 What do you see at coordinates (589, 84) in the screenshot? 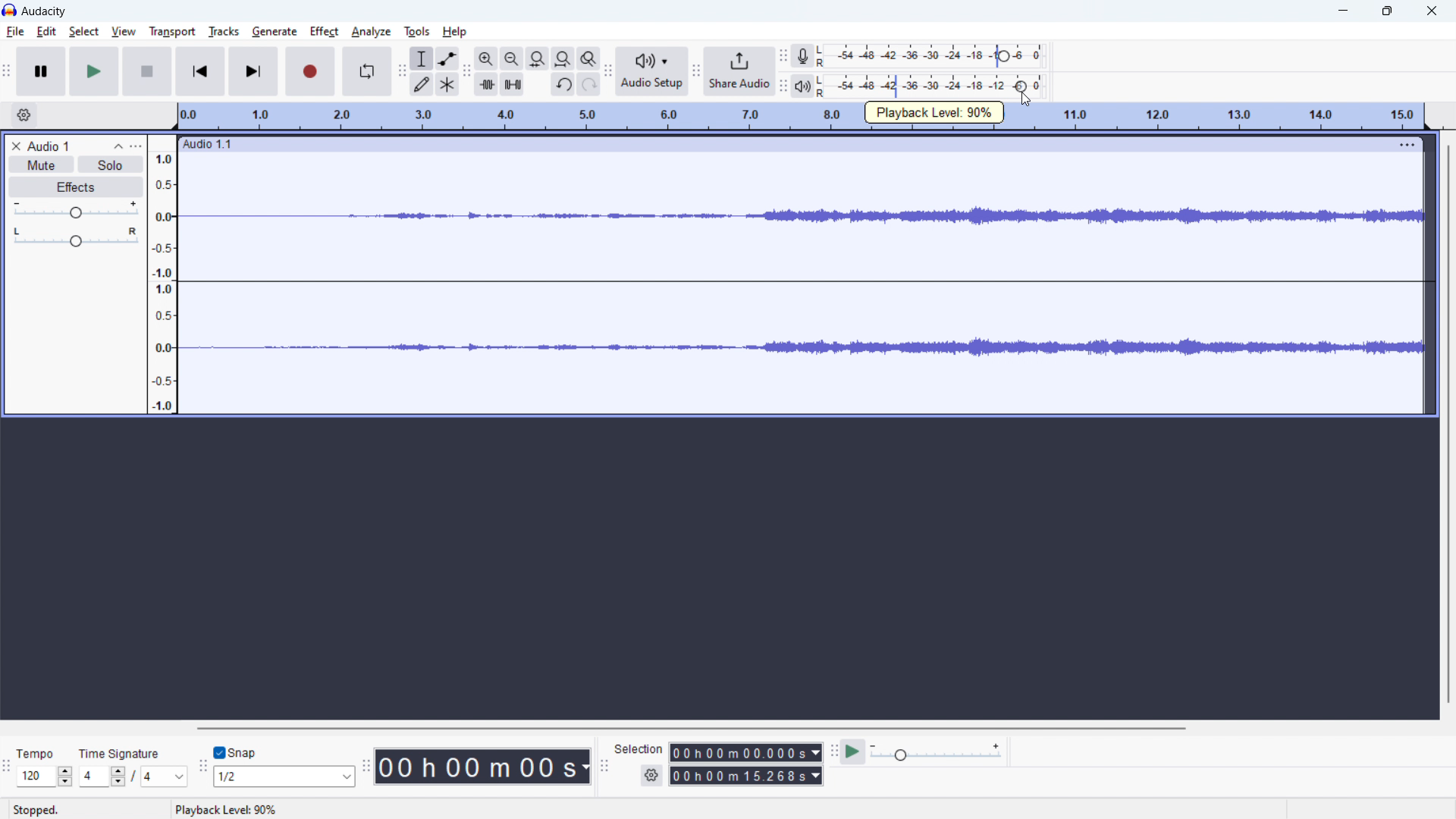
I see `redo` at bounding box center [589, 84].